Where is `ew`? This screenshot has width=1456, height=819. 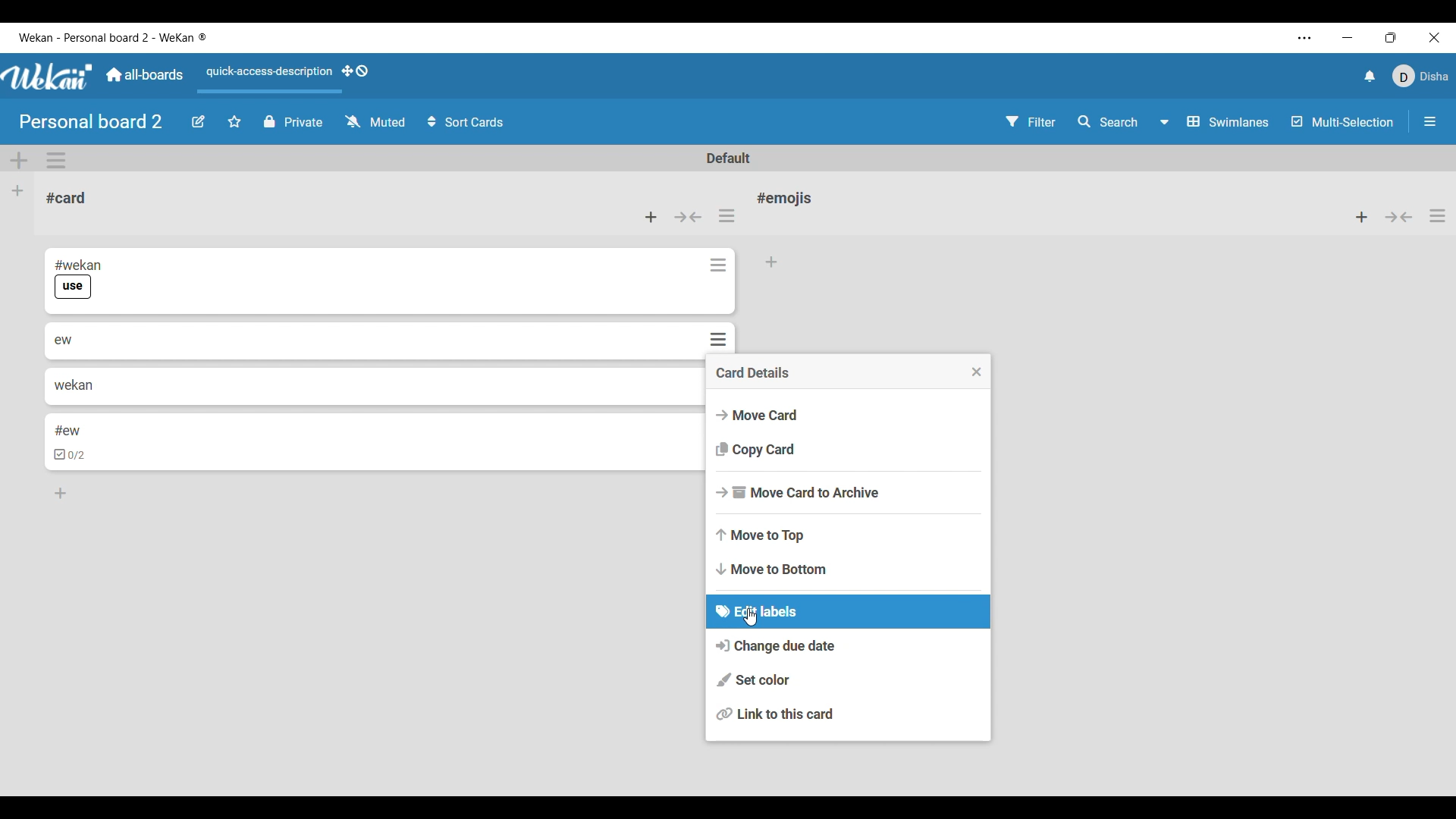 ew is located at coordinates (64, 339).